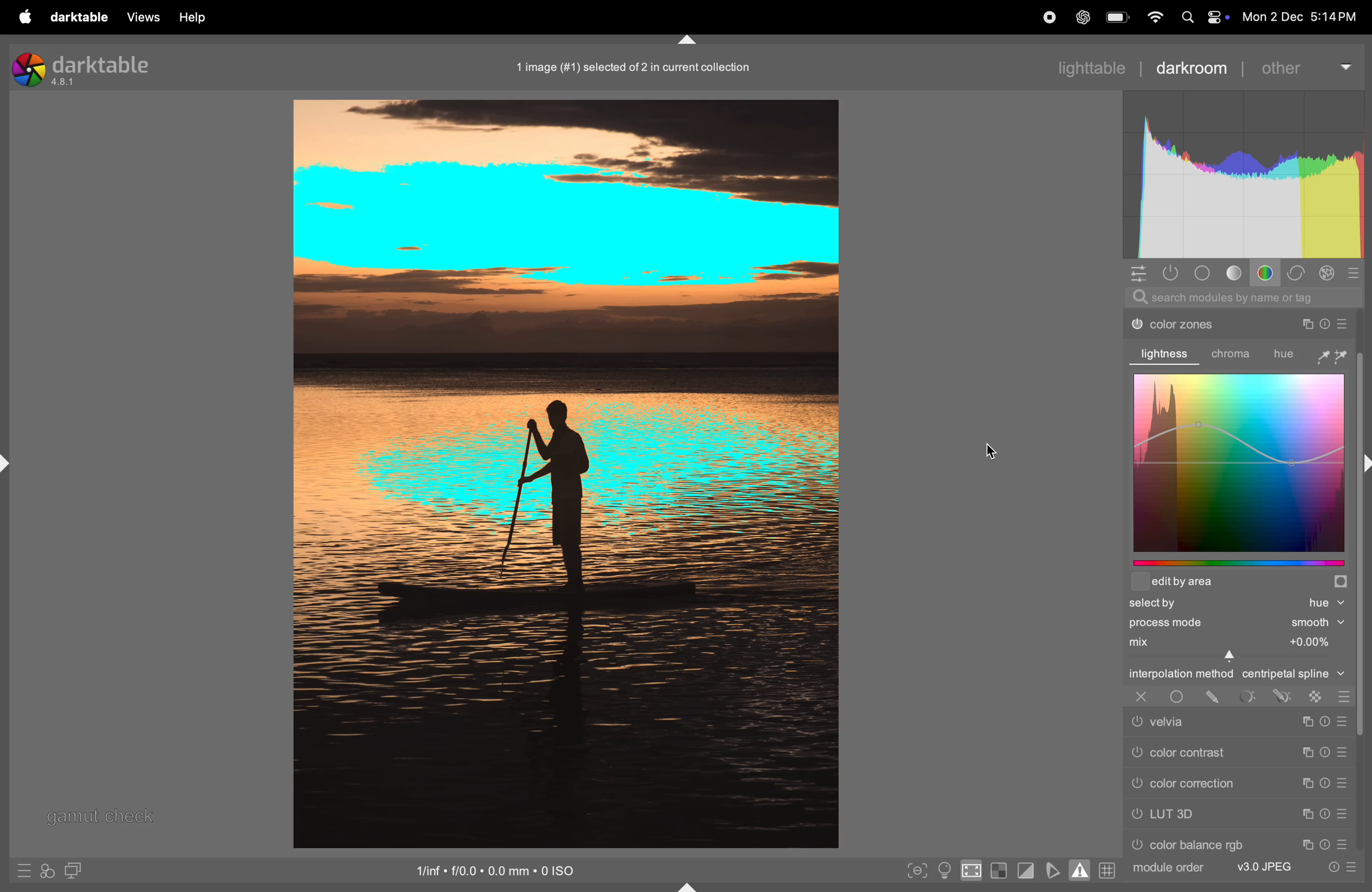 The height and width of the screenshot is (892, 1372). Describe the element at coordinates (197, 19) in the screenshot. I see `help` at that location.